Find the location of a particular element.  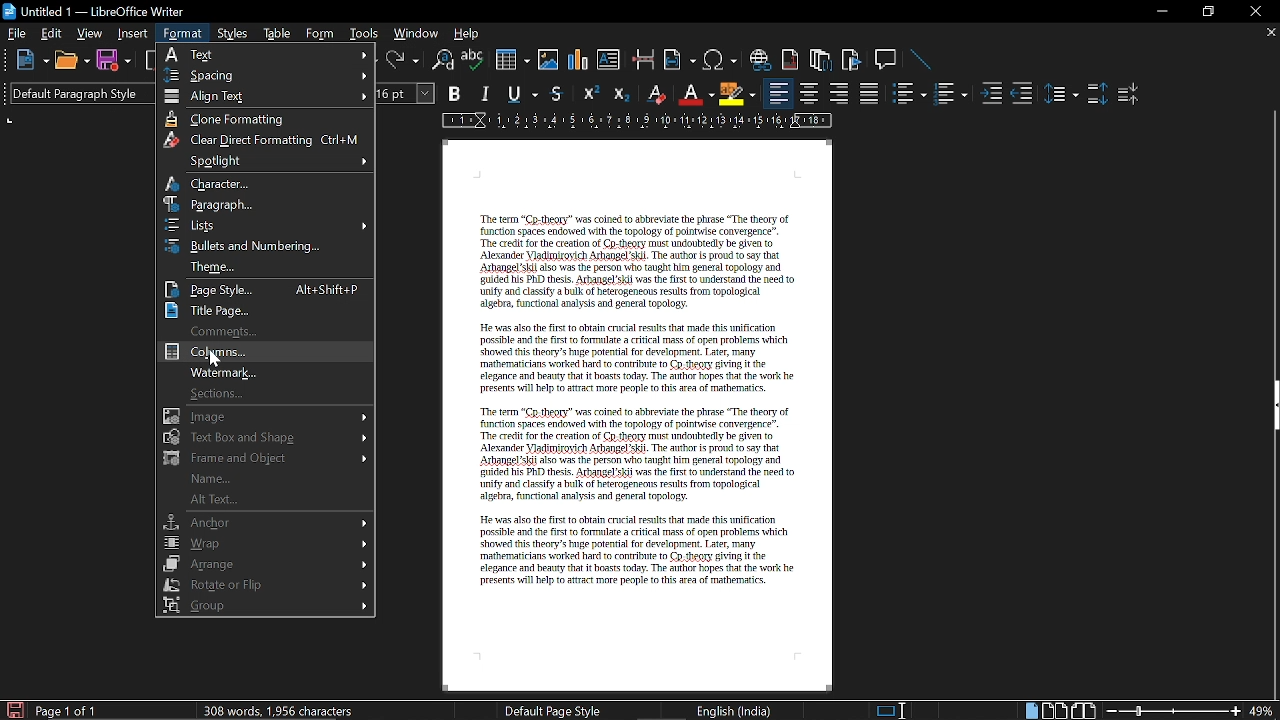

Insert is located at coordinates (134, 34).